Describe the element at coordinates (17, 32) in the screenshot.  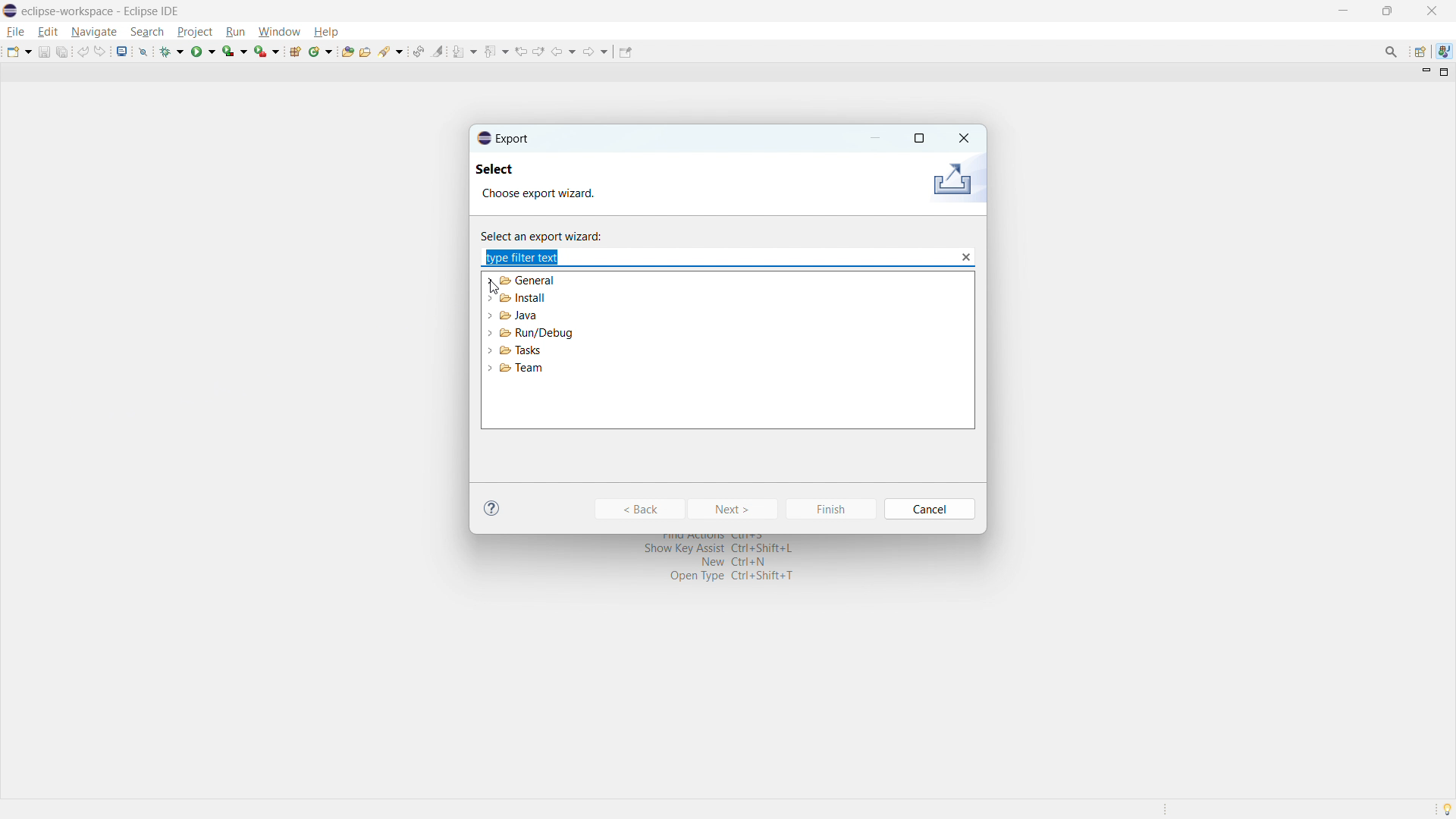
I see `file` at that location.